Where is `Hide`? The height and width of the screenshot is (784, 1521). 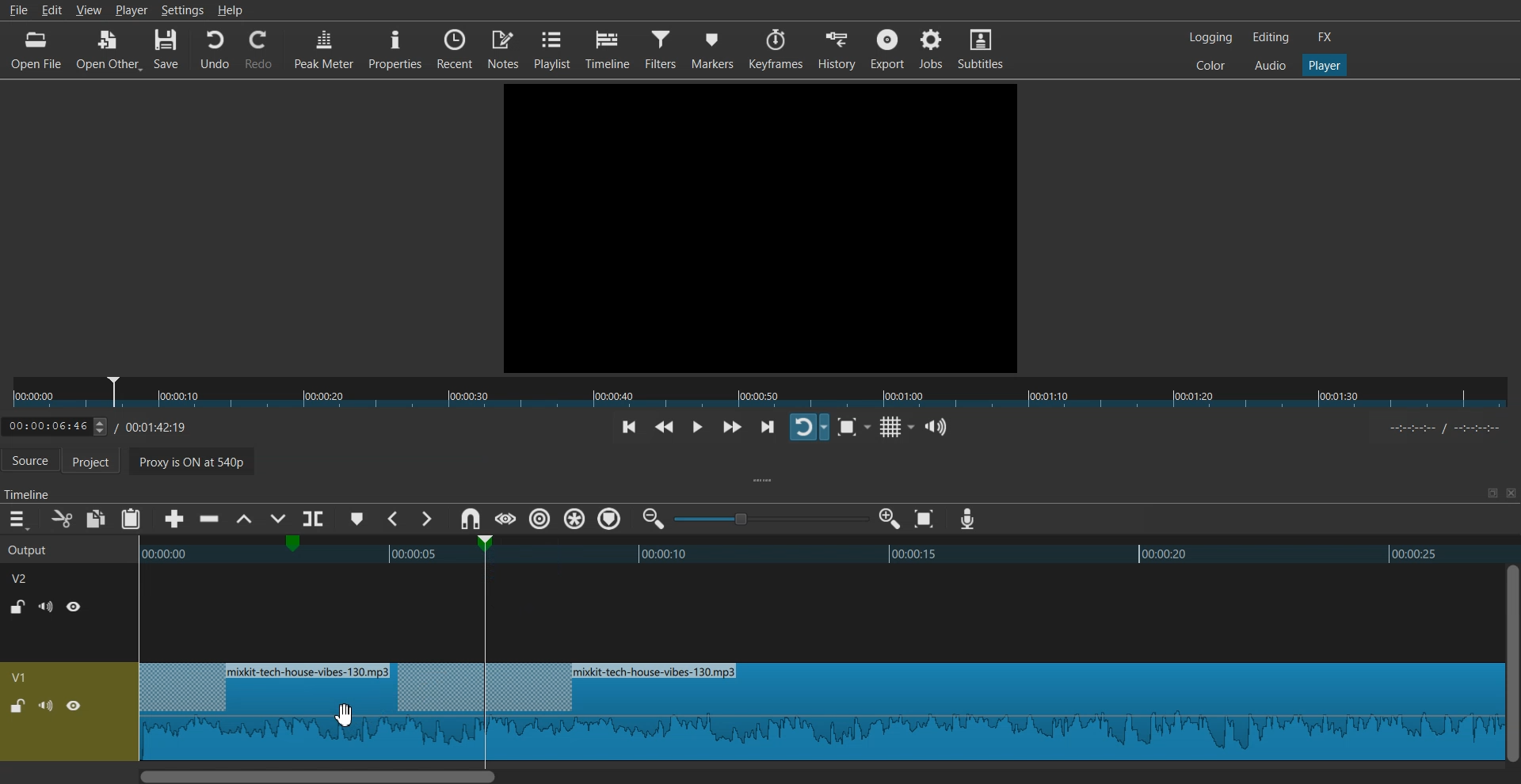
Hide is located at coordinates (74, 706).